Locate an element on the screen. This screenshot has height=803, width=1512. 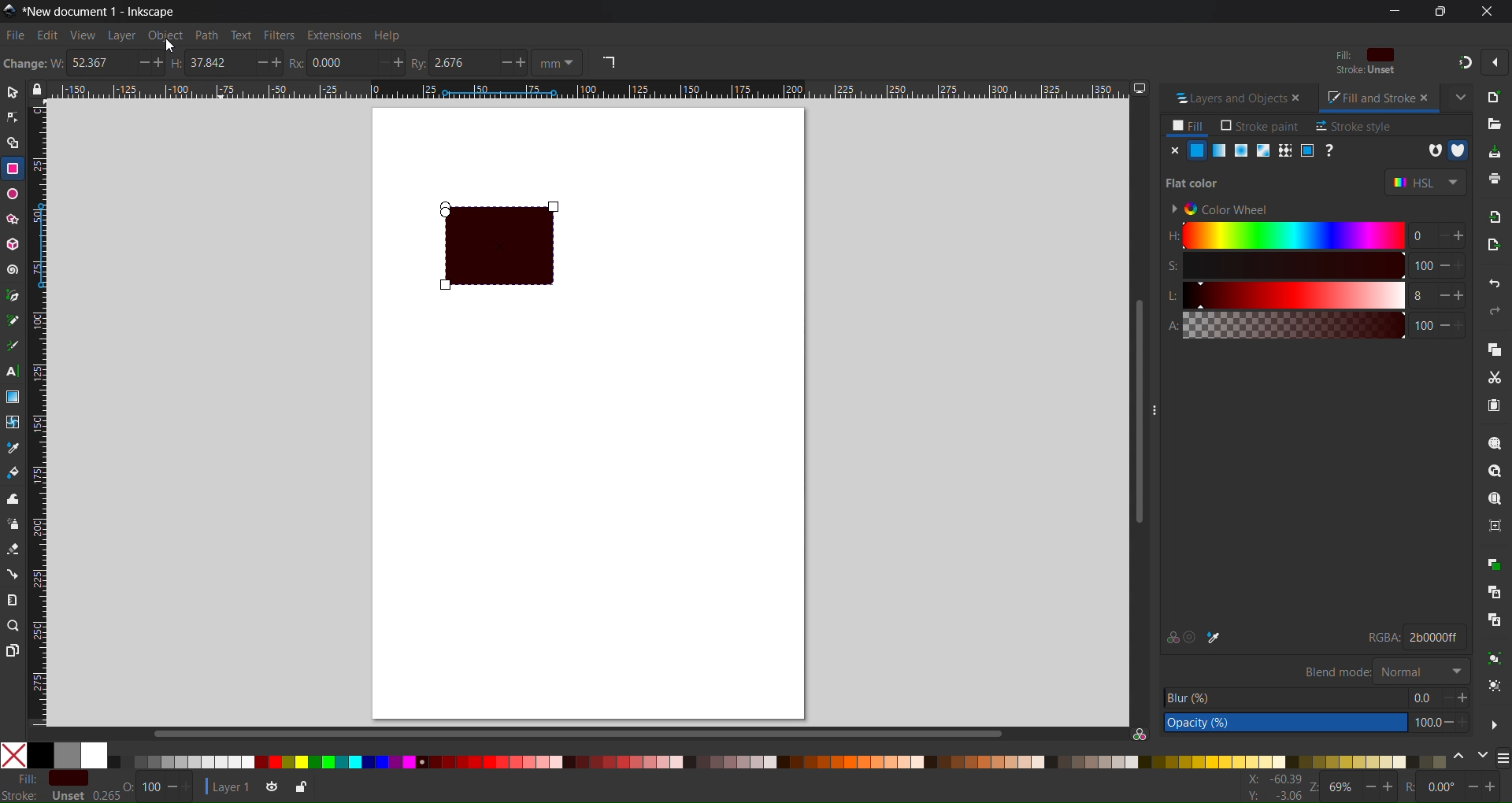
Extensions is located at coordinates (336, 35).